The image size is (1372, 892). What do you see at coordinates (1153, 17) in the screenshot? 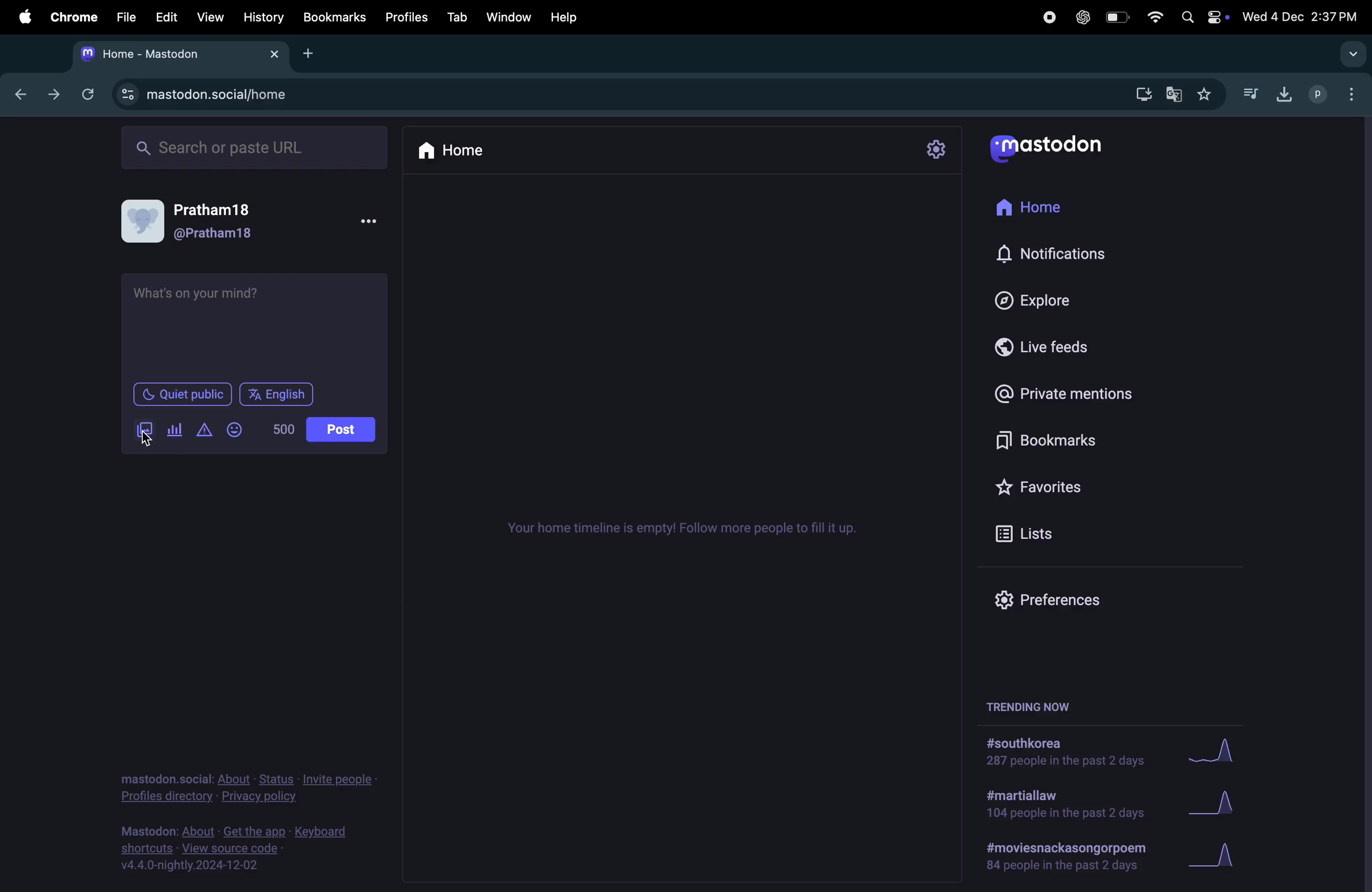
I see `wifi` at bounding box center [1153, 17].